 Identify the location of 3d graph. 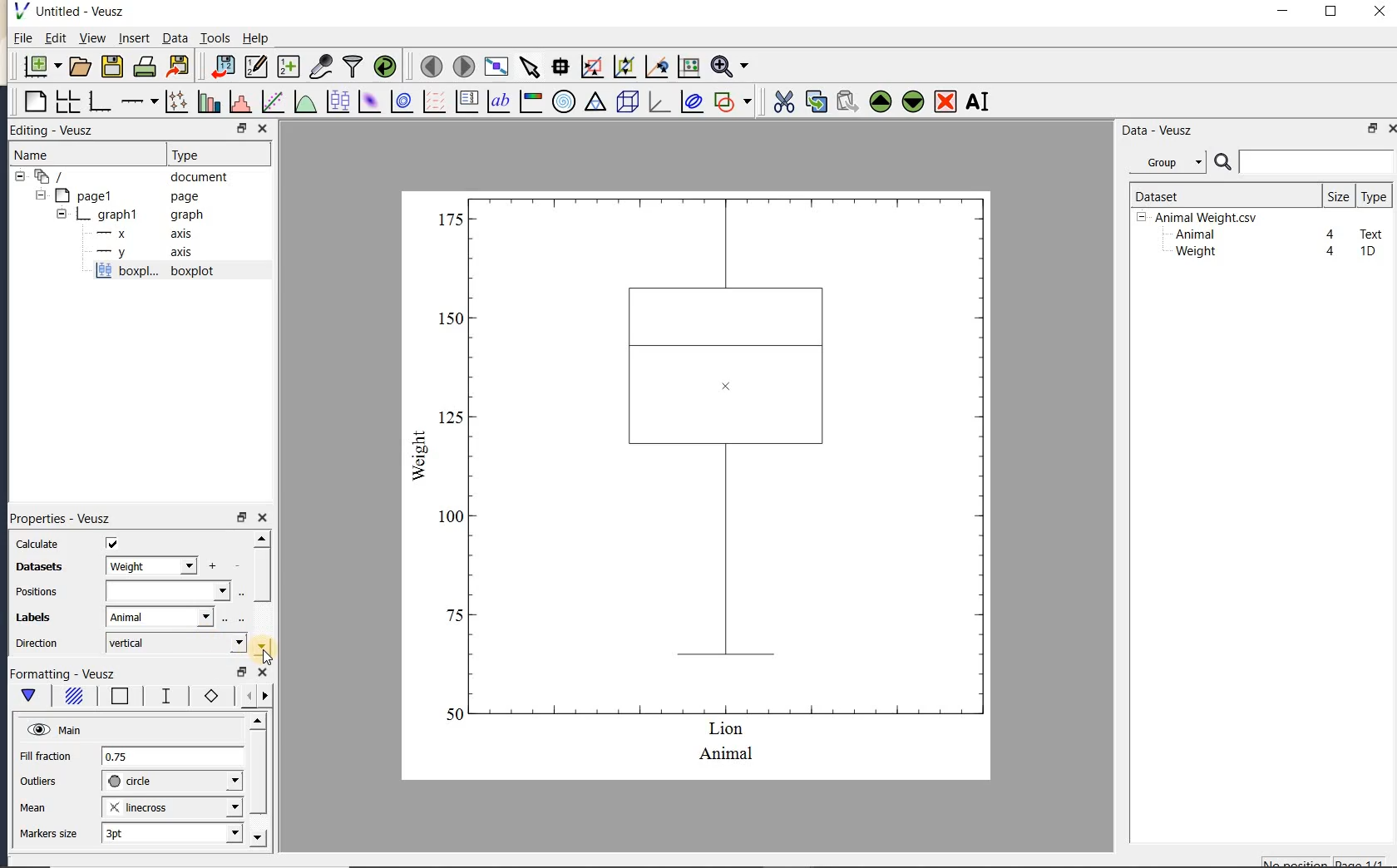
(657, 101).